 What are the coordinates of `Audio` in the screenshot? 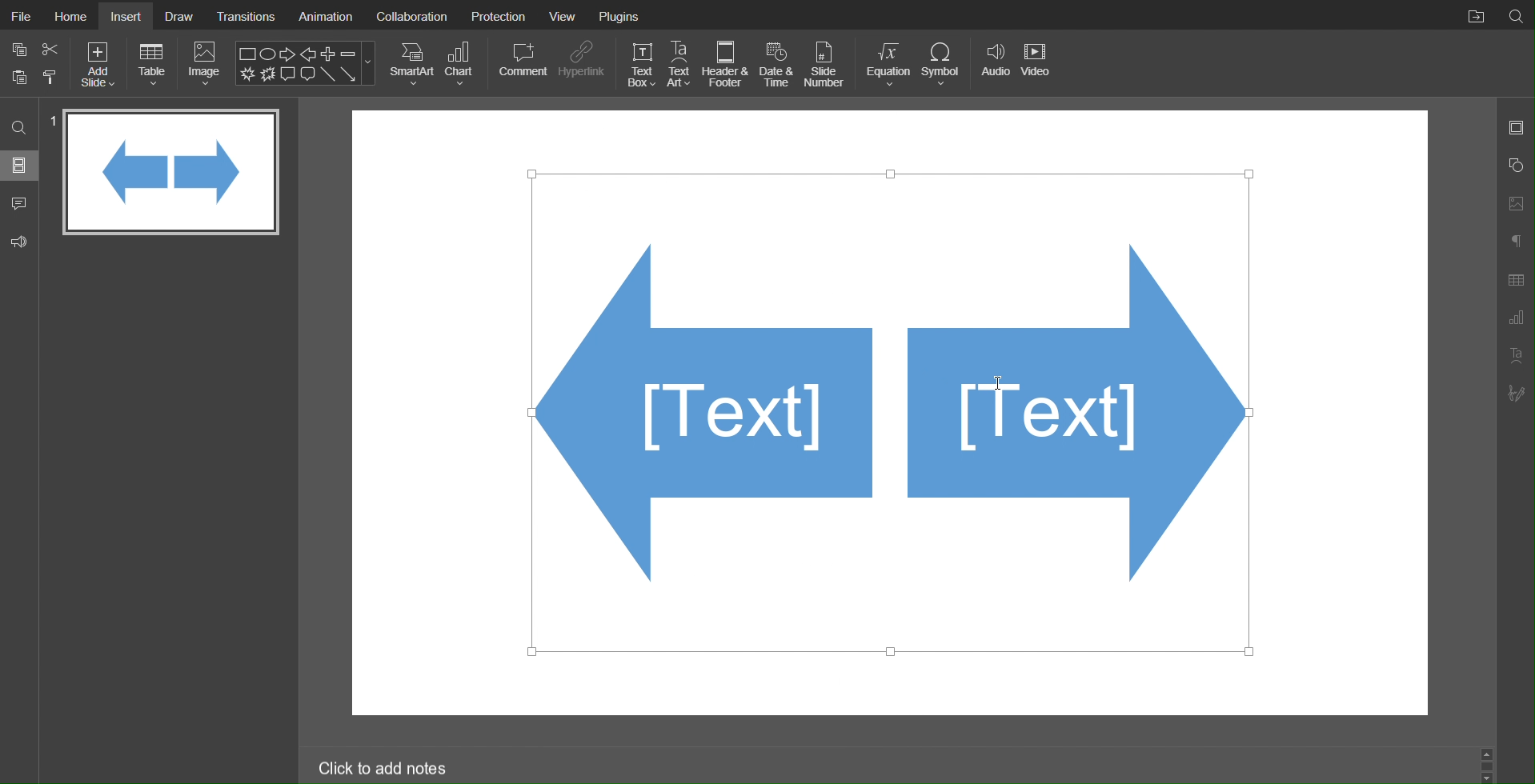 It's located at (993, 63).